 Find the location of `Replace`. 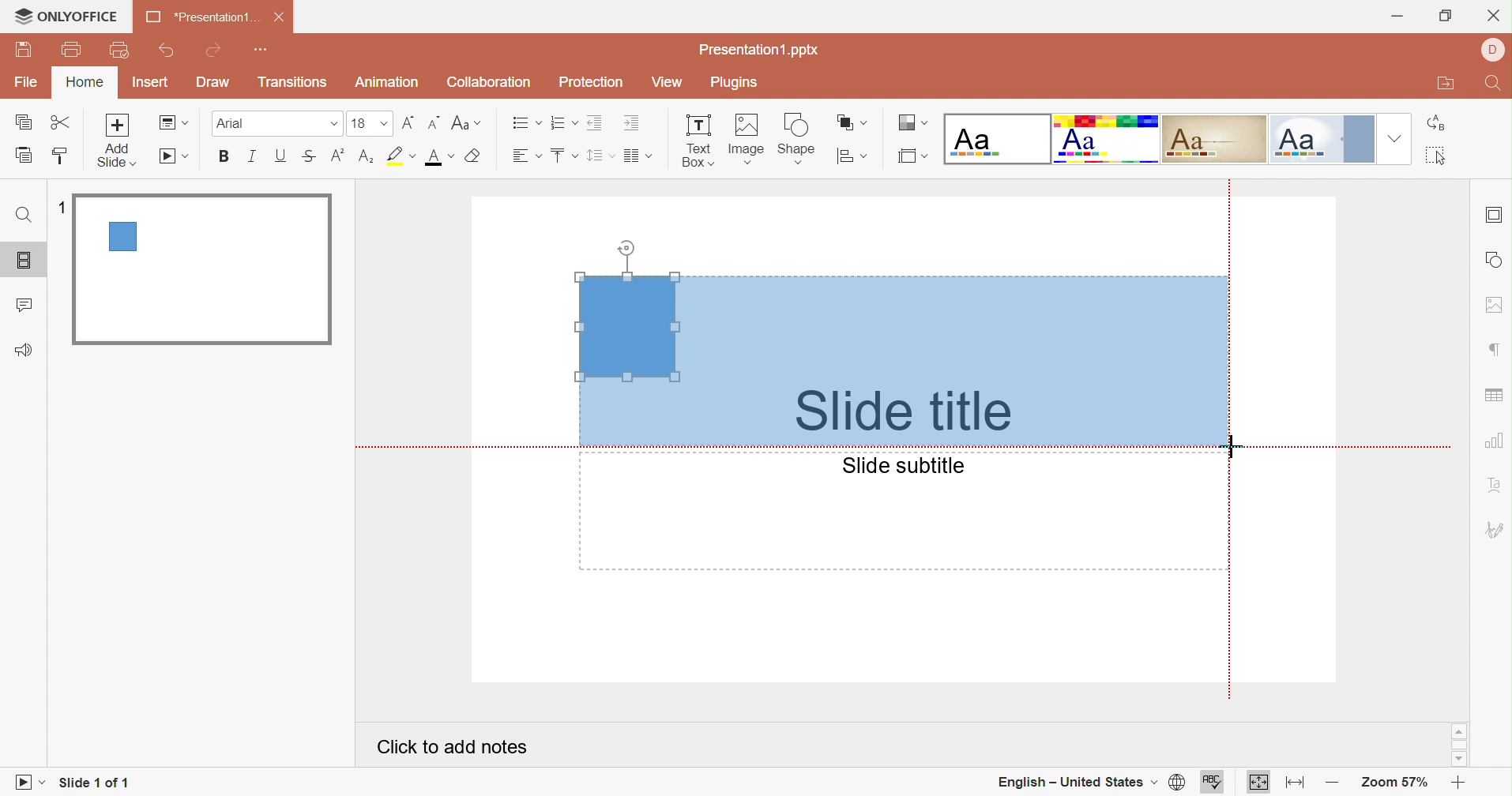

Replace is located at coordinates (1439, 122).